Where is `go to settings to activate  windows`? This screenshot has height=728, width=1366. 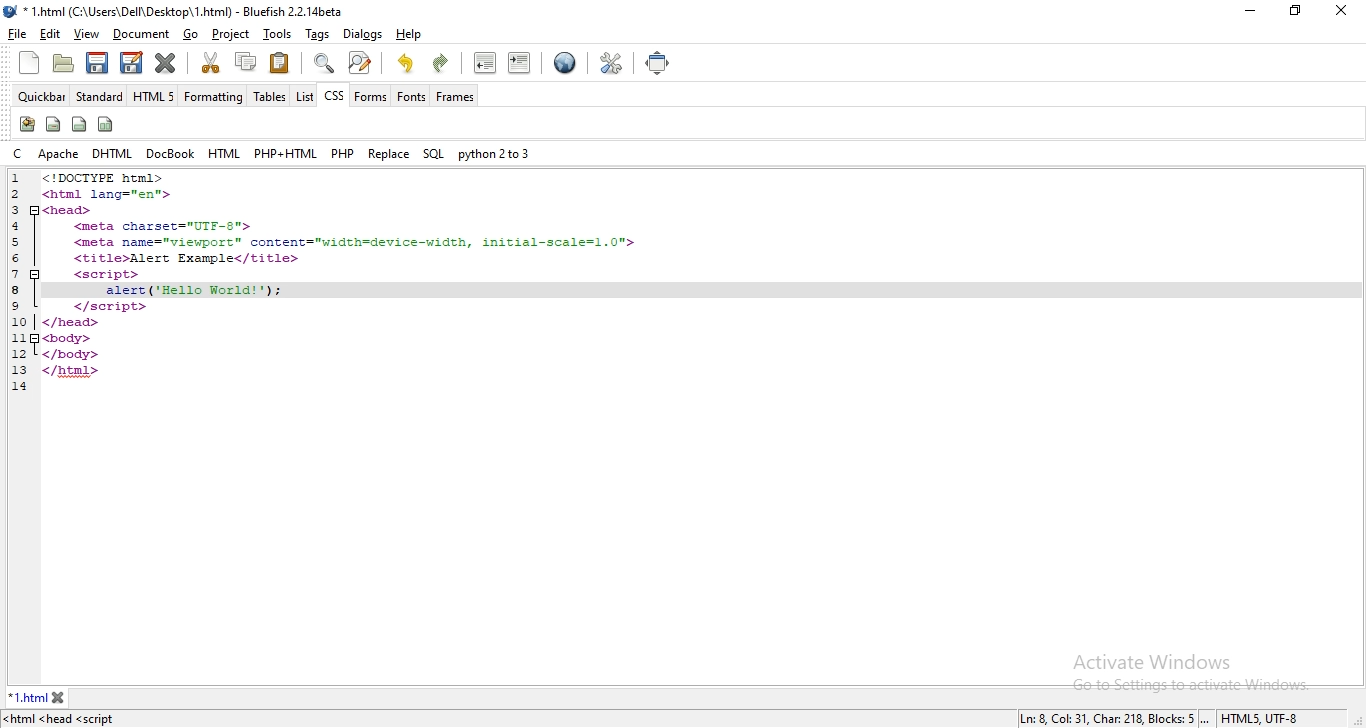 go to settings to activate  windows is located at coordinates (1183, 687).